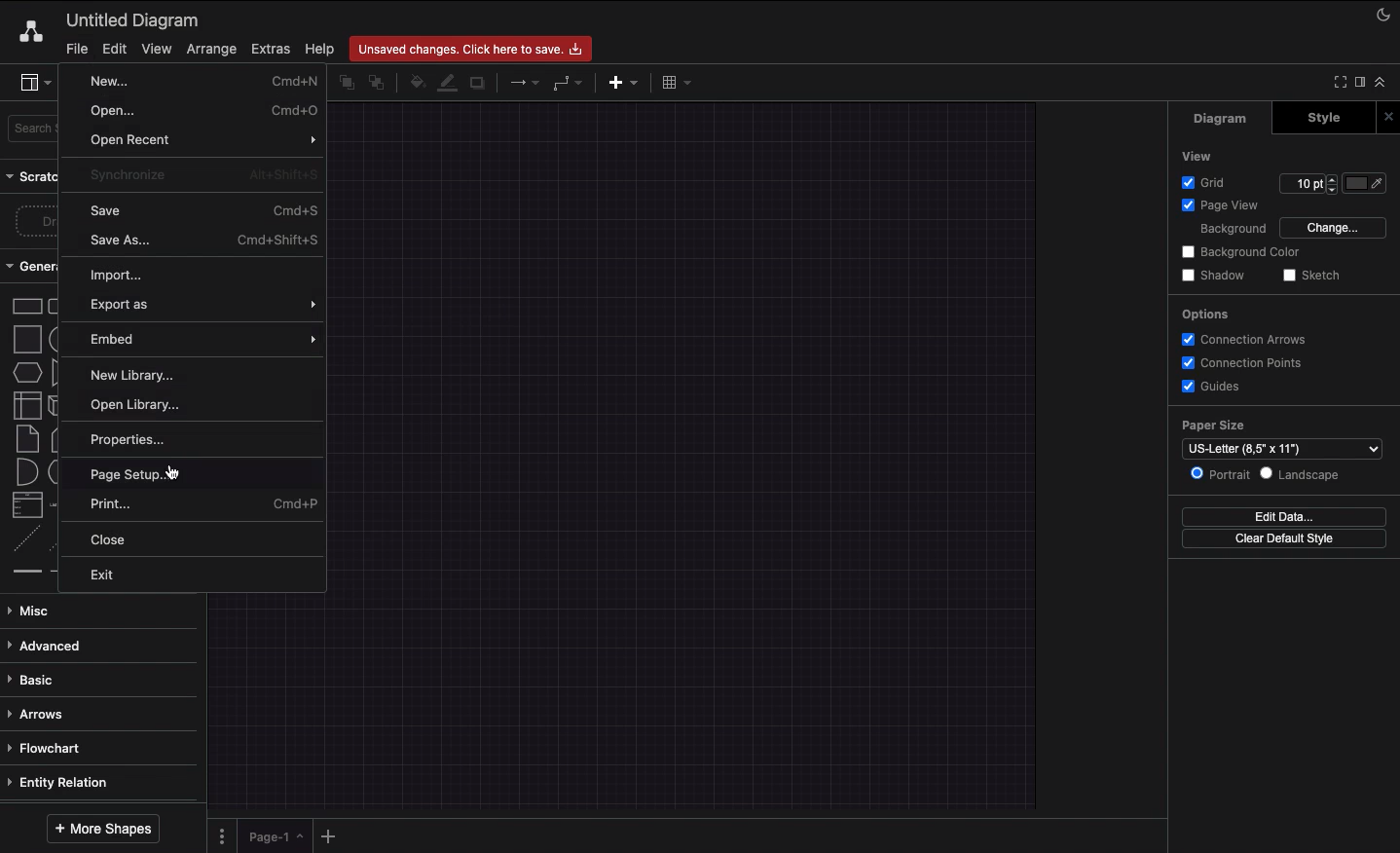 This screenshot has height=853, width=1400. What do you see at coordinates (1220, 473) in the screenshot?
I see `Portrait ` at bounding box center [1220, 473].